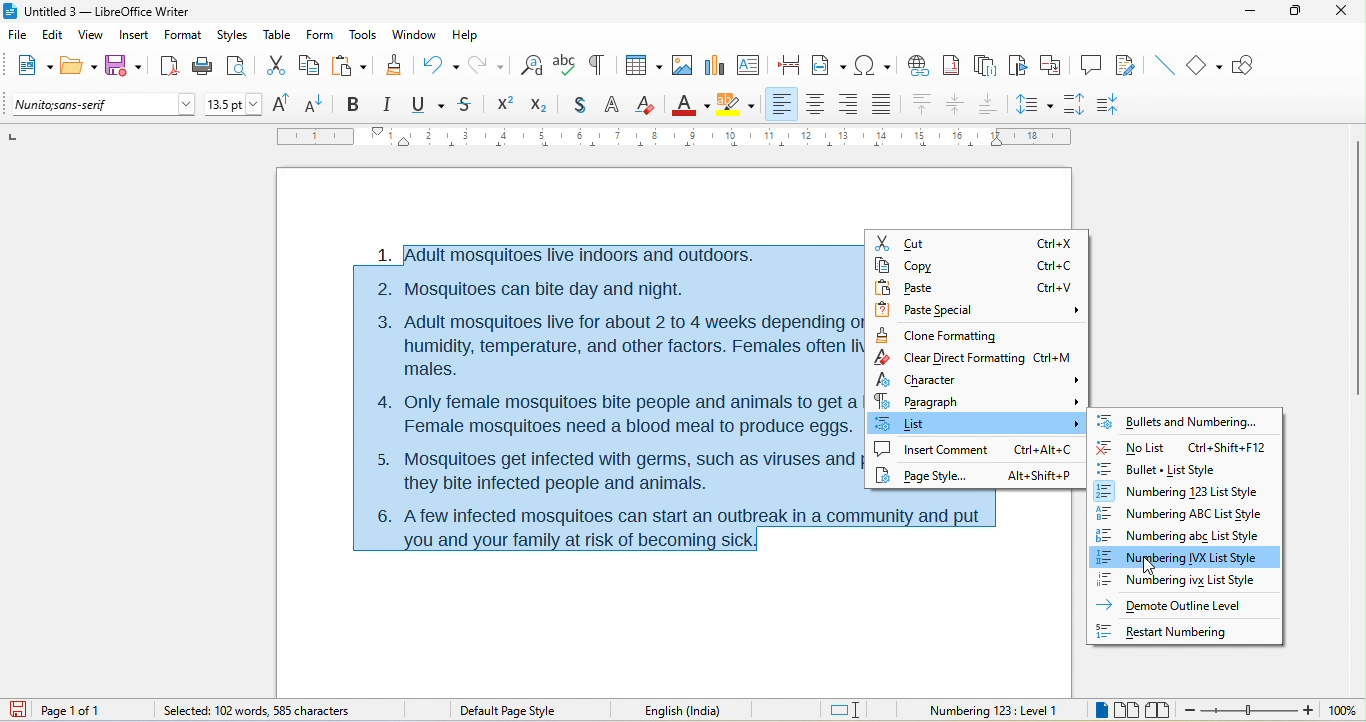  I want to click on vertical scroll bar, so click(1357, 266).